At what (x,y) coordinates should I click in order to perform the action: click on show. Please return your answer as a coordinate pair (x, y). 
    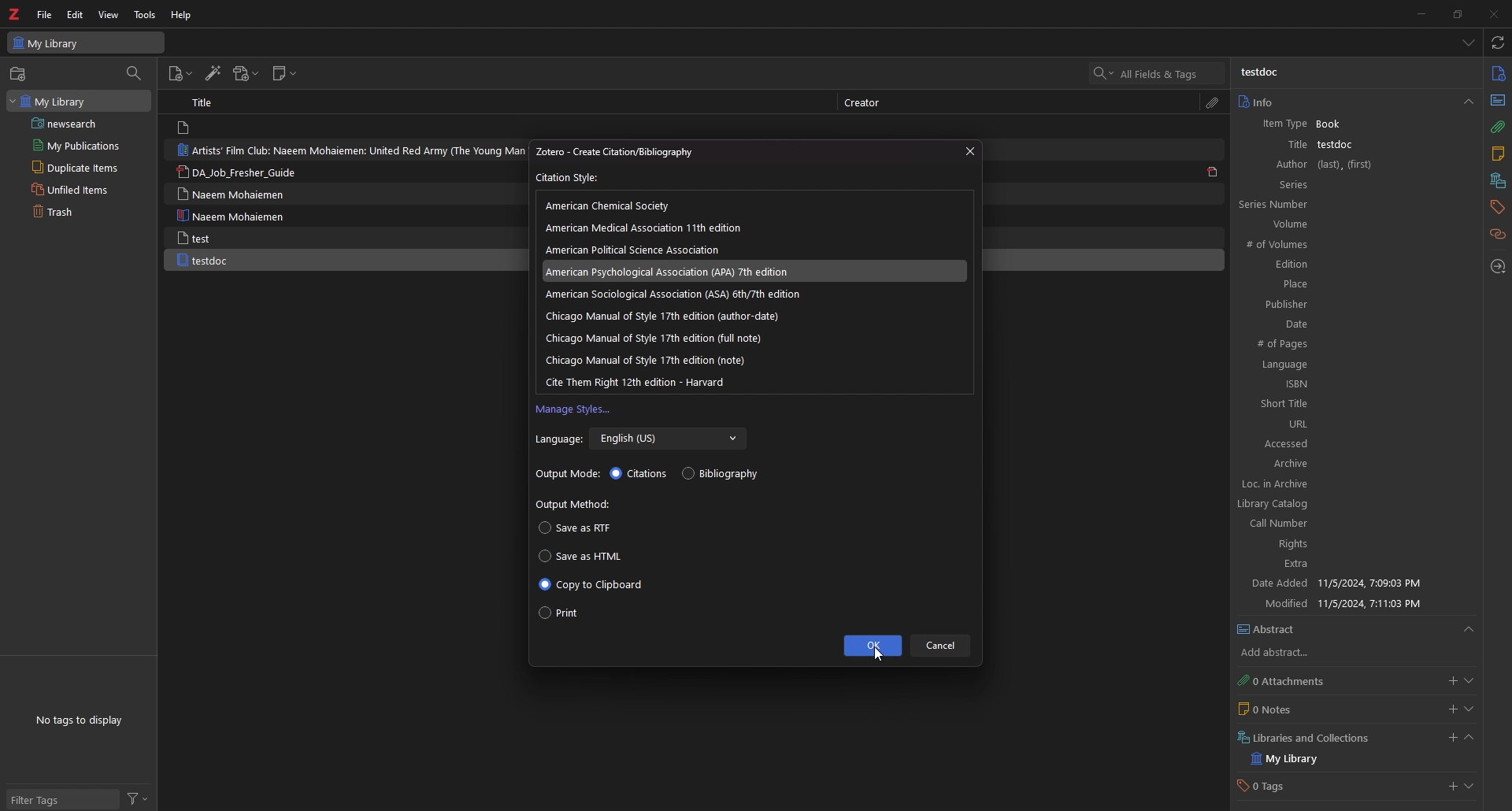
    Looking at the image, I should click on (1469, 681).